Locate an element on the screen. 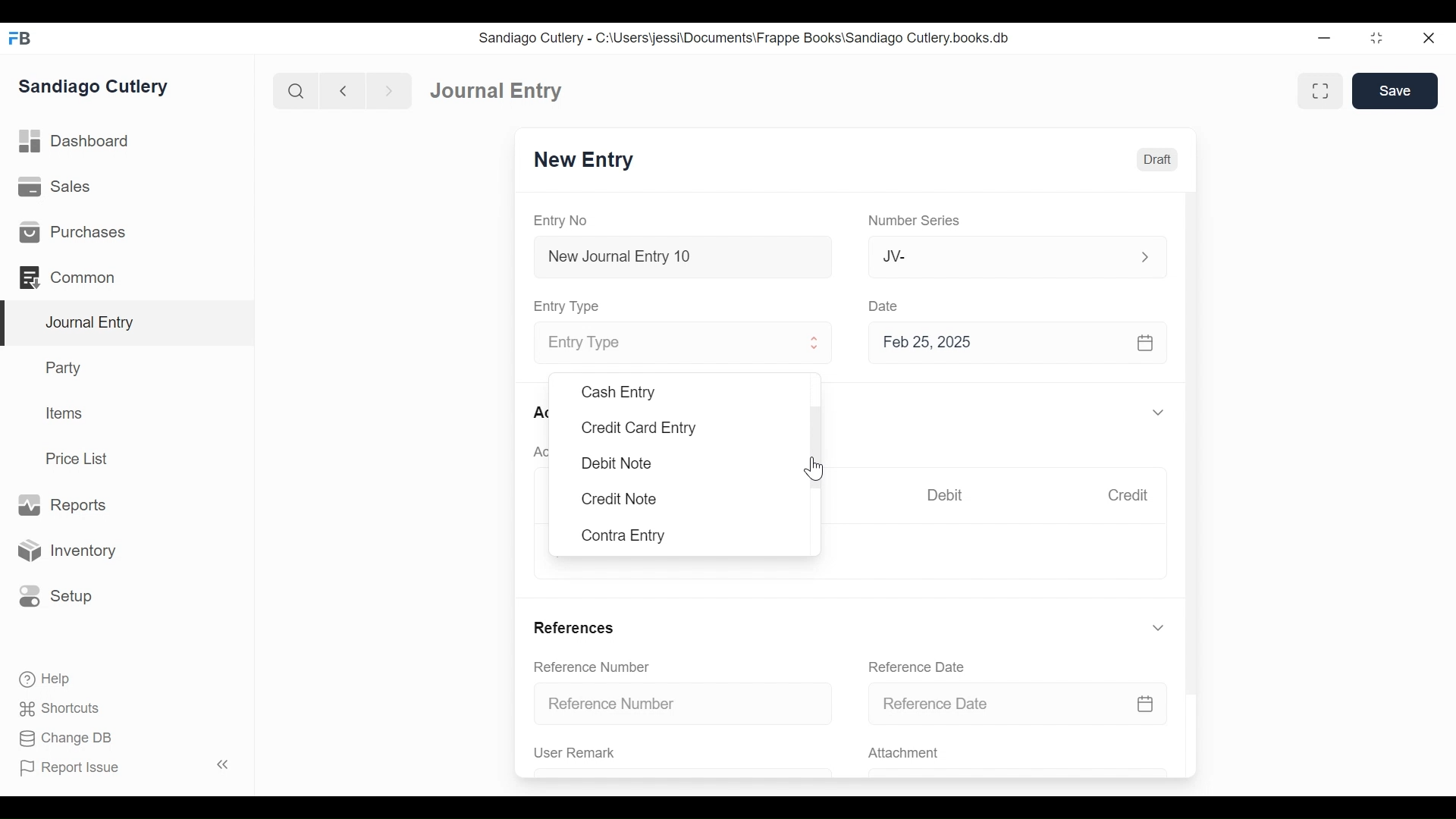 The image size is (1456, 819). Common is located at coordinates (68, 276).